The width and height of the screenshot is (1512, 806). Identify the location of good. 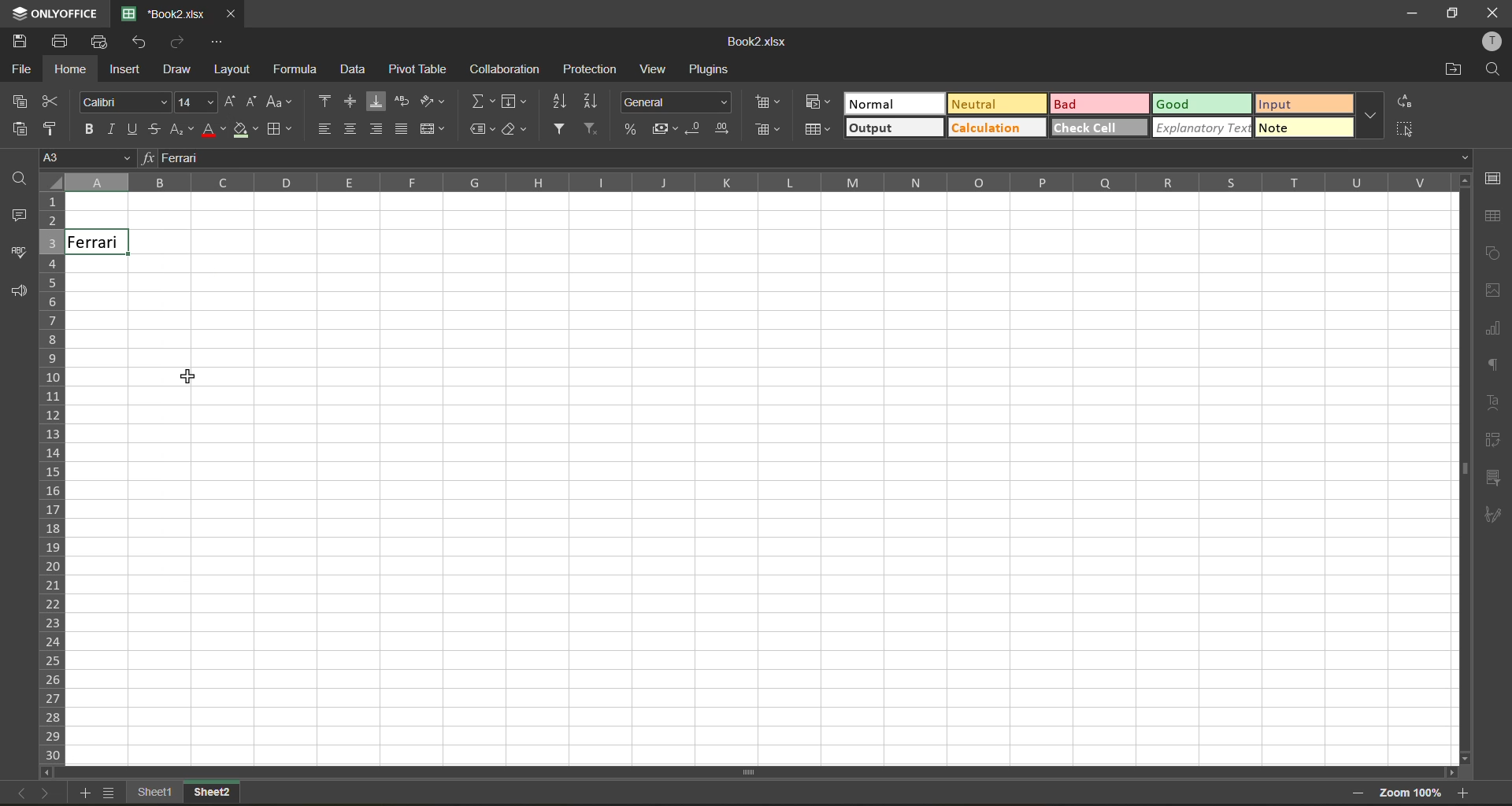
(1203, 105).